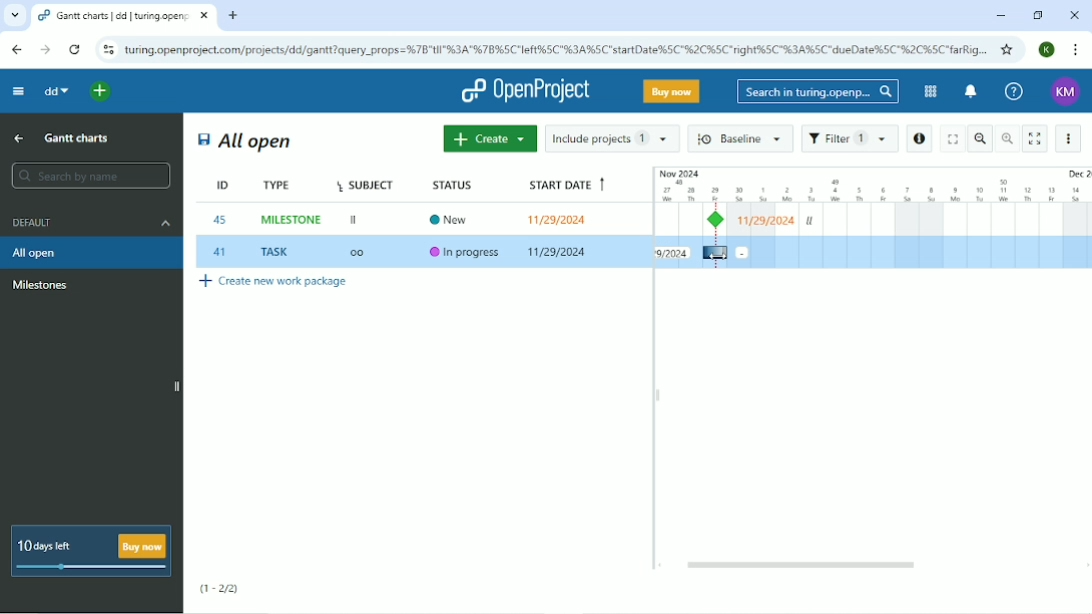 Image resolution: width=1092 pixels, height=614 pixels. What do you see at coordinates (715, 255) in the screenshot?
I see `cursor` at bounding box center [715, 255].